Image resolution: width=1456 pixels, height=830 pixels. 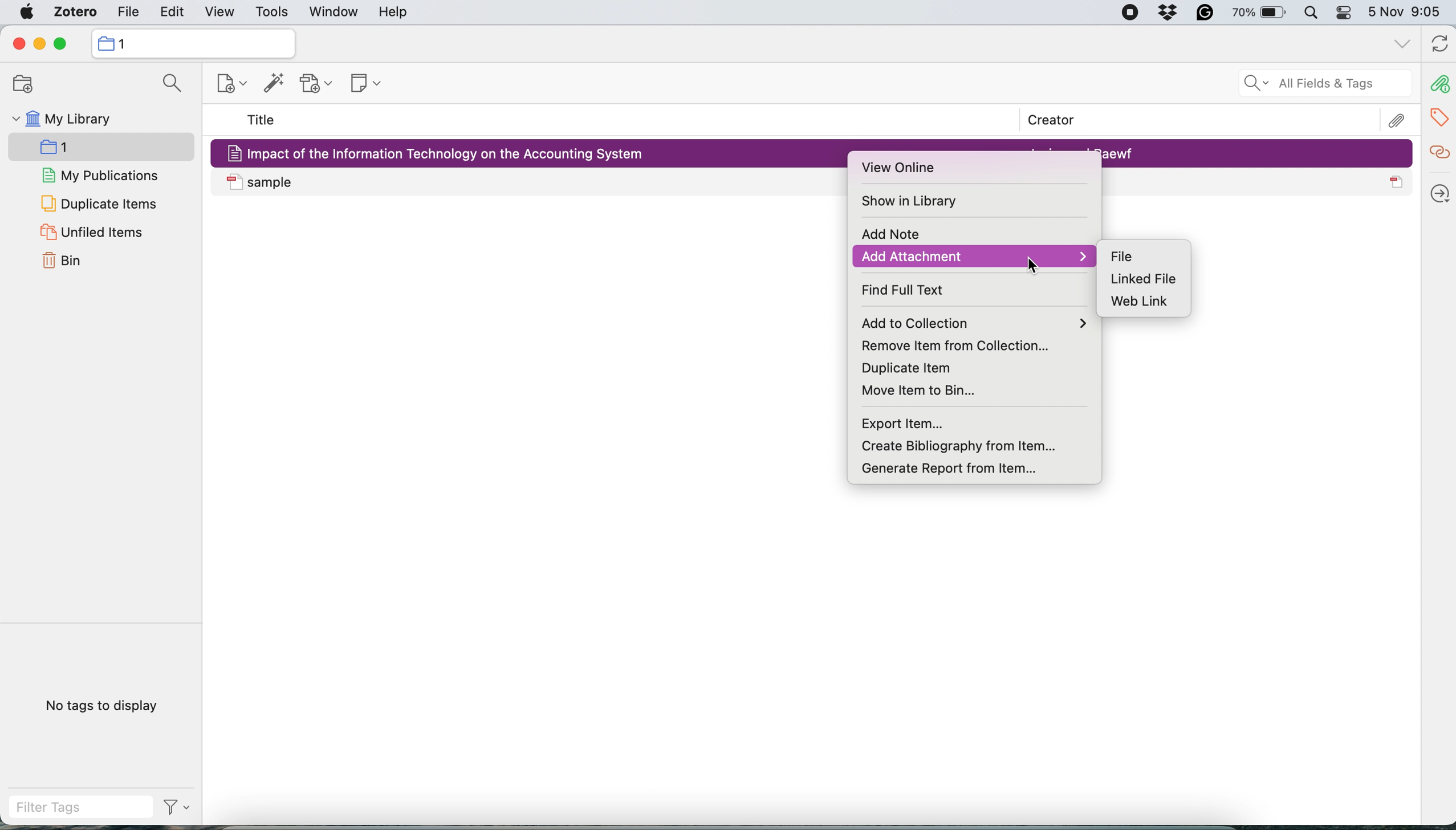 What do you see at coordinates (914, 290) in the screenshot?
I see `find full text` at bounding box center [914, 290].